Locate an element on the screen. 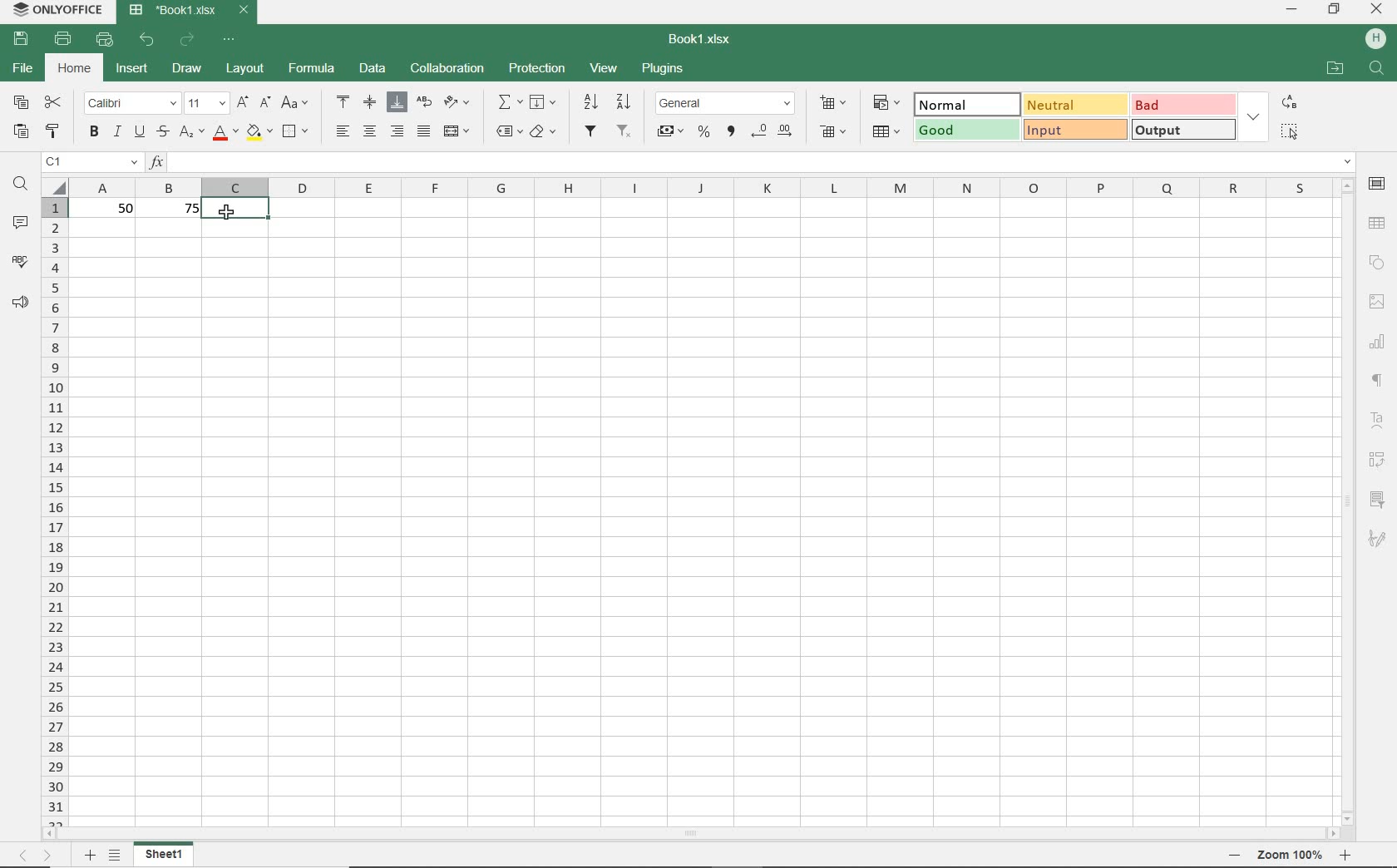  underline is located at coordinates (140, 134).